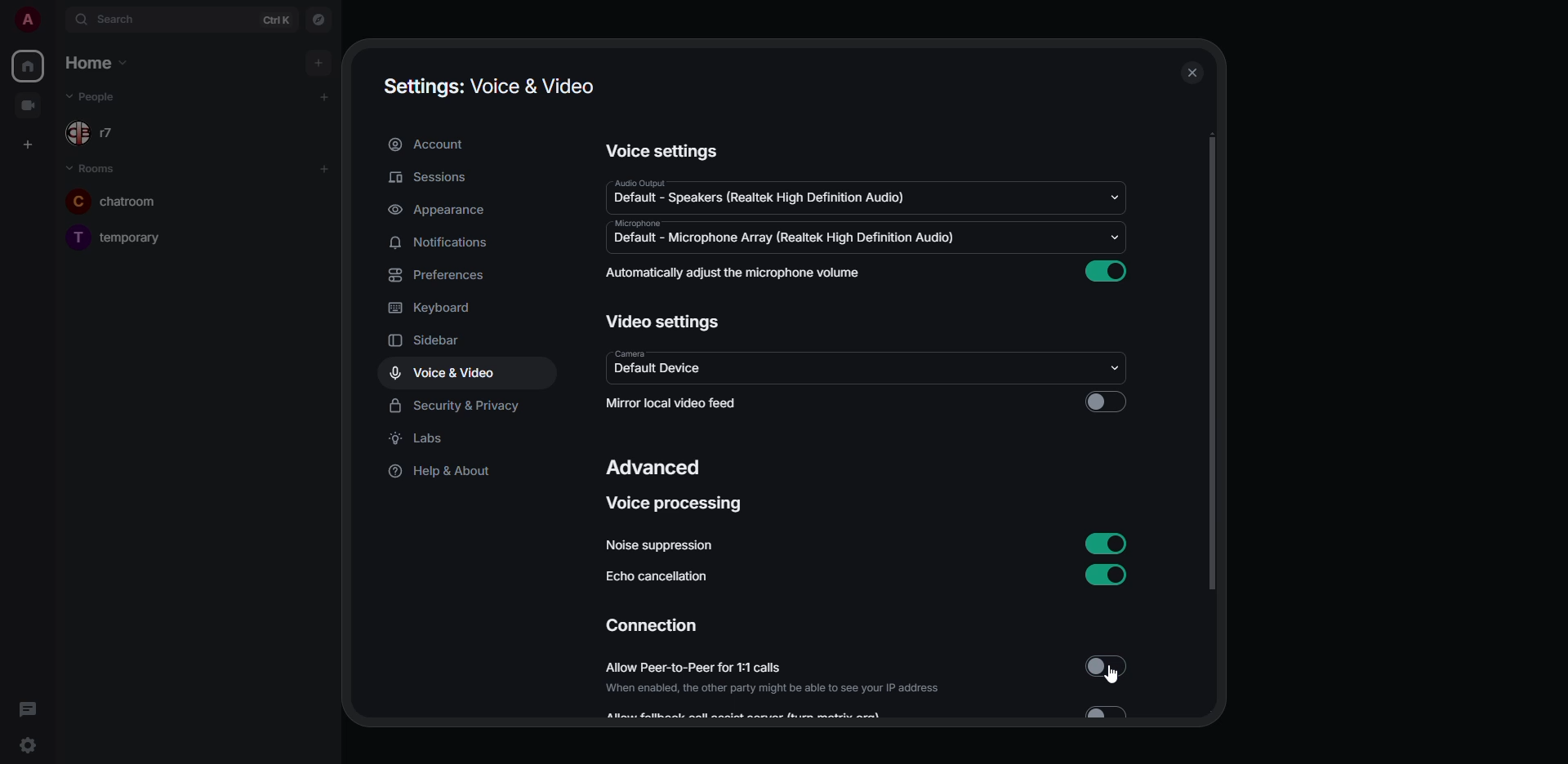  Describe the element at coordinates (439, 472) in the screenshot. I see `help & about` at that location.